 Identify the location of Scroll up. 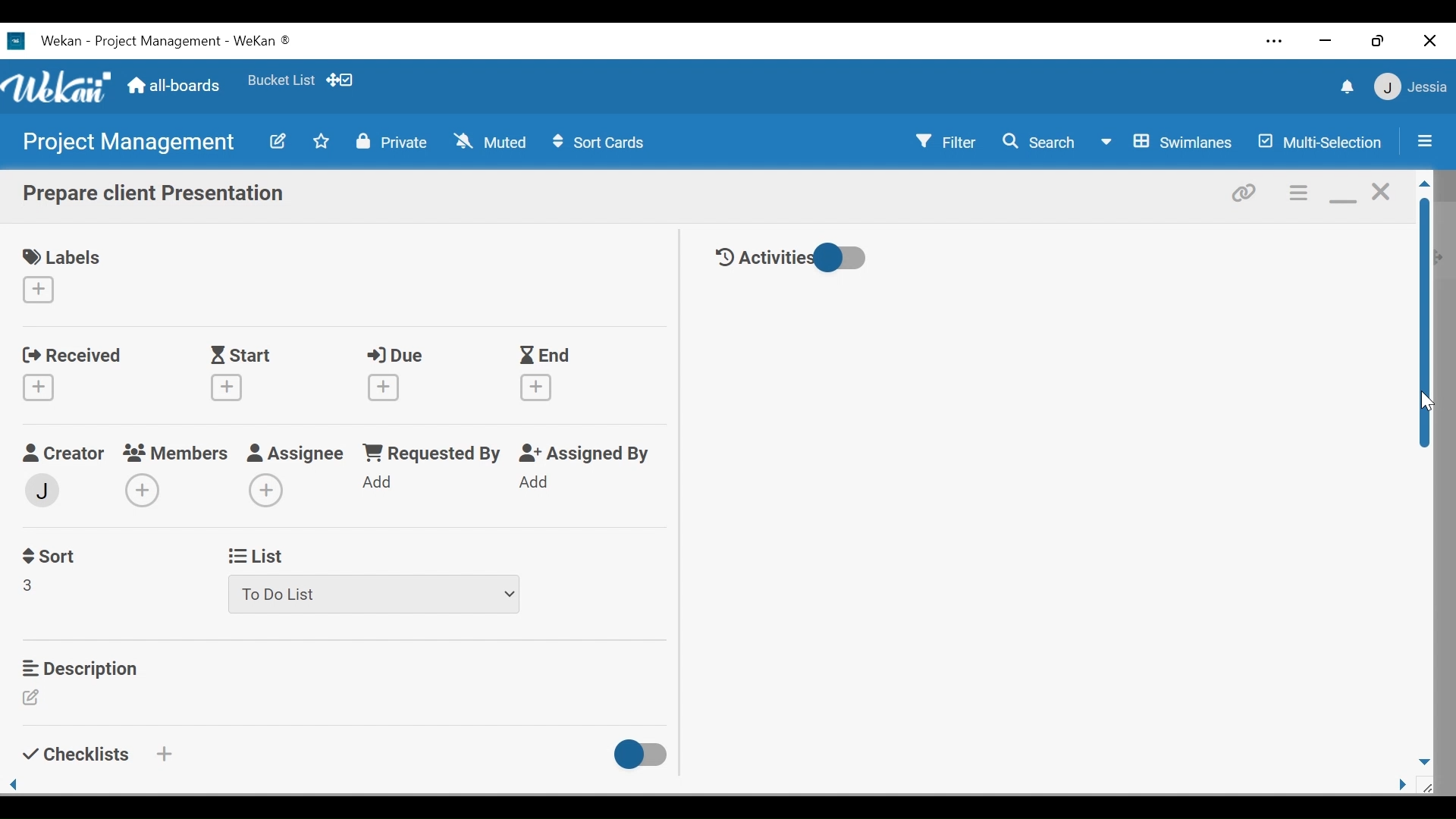
(1422, 183).